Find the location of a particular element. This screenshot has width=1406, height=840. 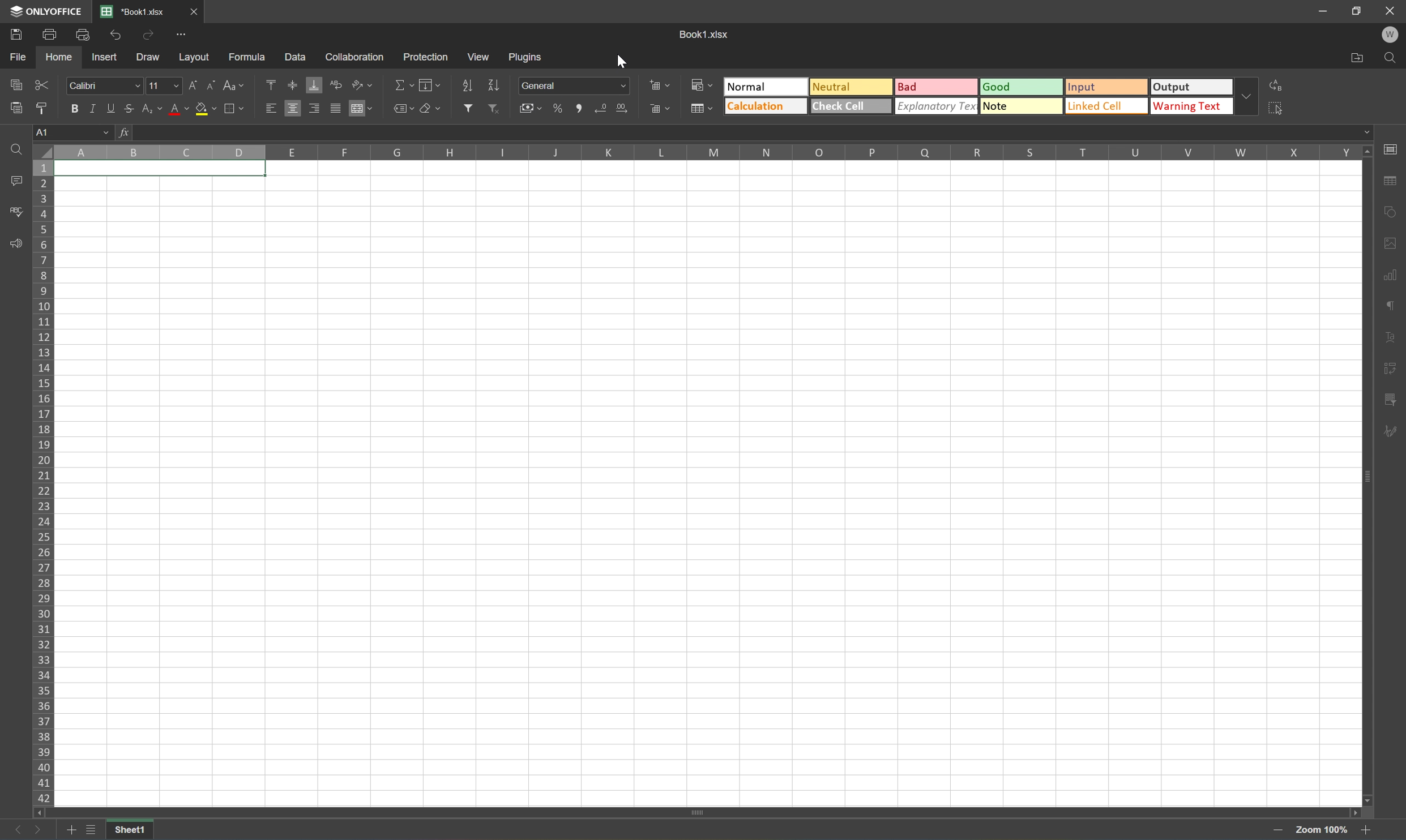

Align middle is located at coordinates (293, 110).